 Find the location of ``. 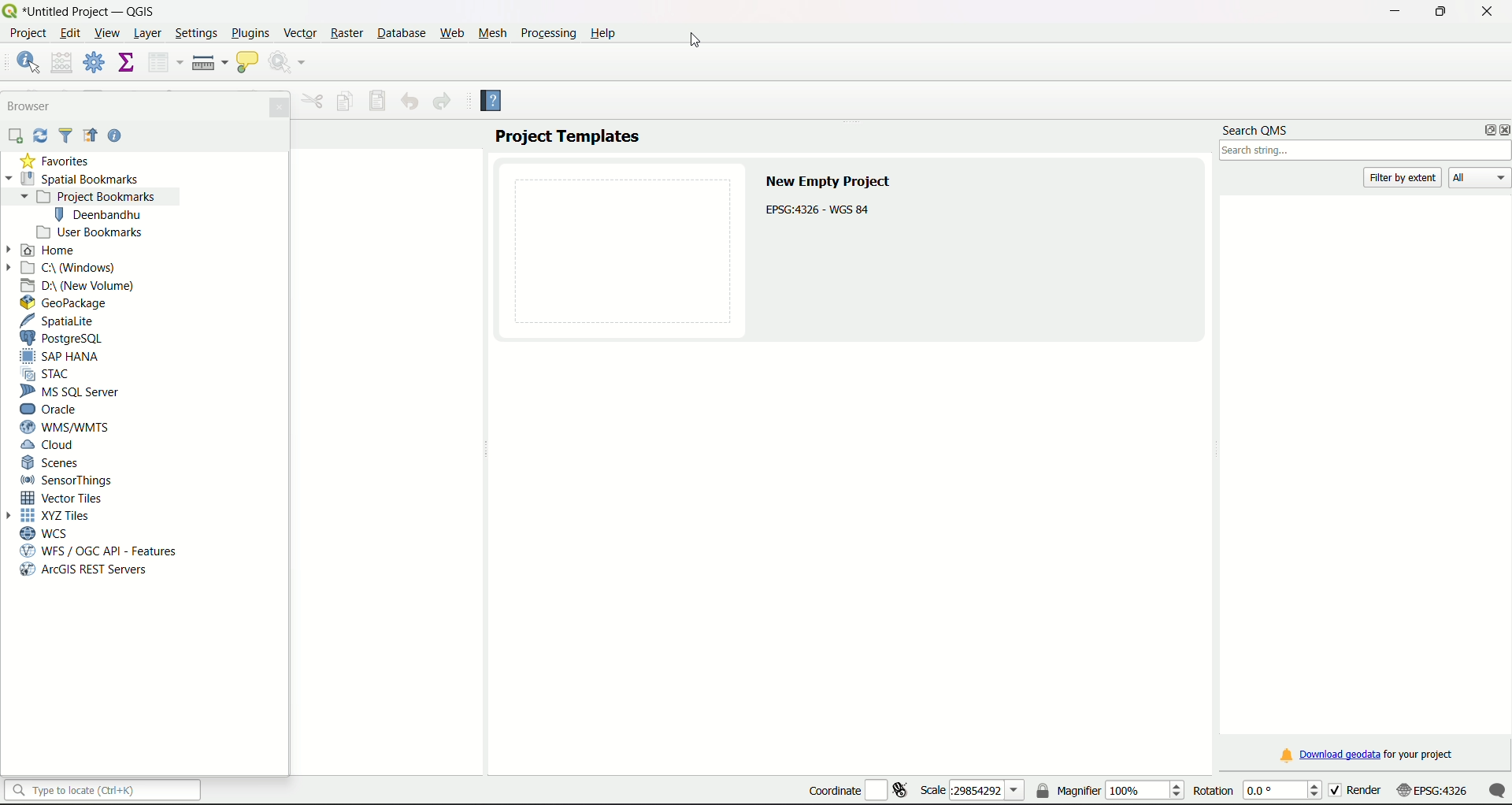

 is located at coordinates (313, 101).